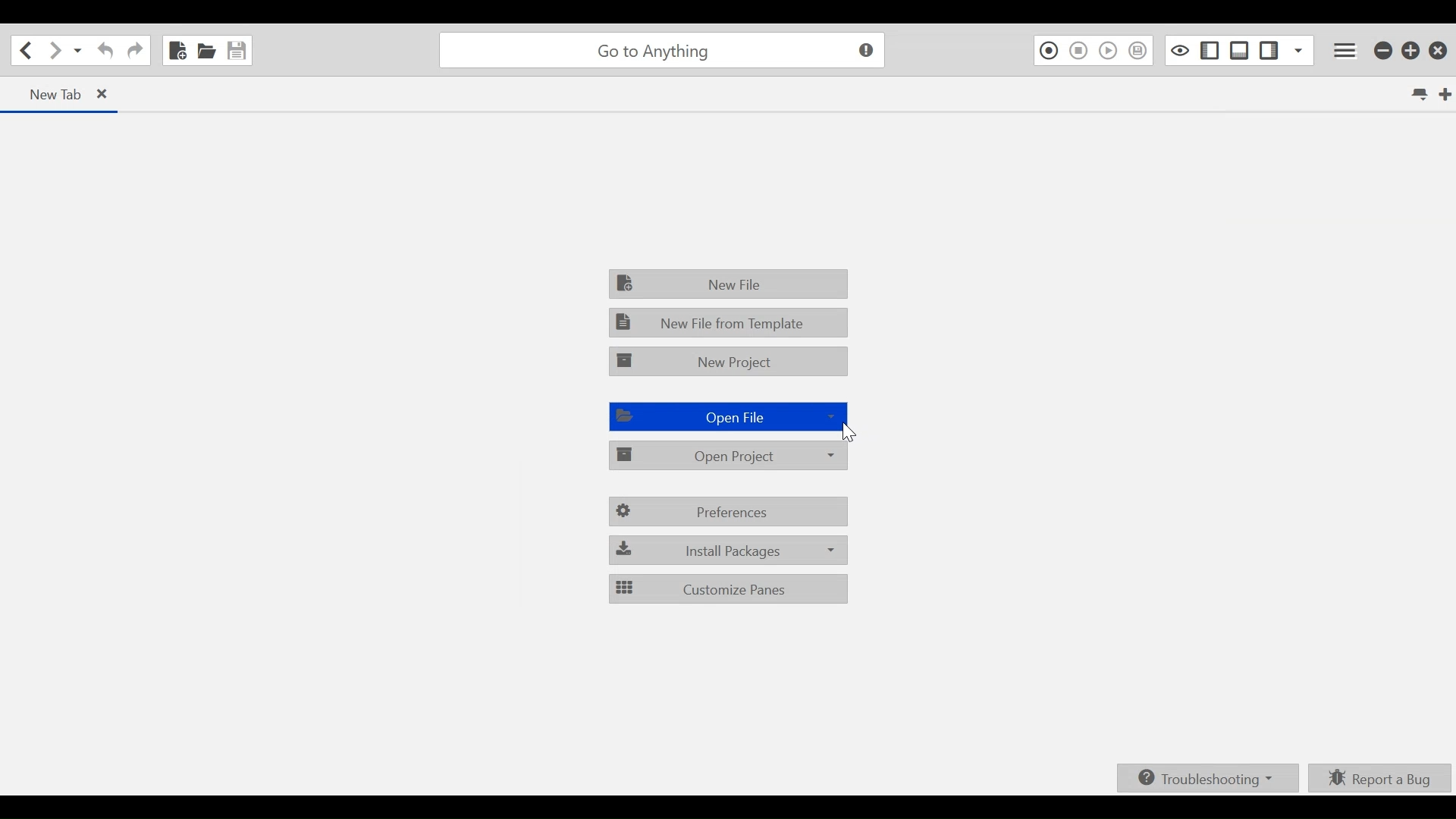  Describe the element at coordinates (730, 513) in the screenshot. I see `Preferences` at that location.